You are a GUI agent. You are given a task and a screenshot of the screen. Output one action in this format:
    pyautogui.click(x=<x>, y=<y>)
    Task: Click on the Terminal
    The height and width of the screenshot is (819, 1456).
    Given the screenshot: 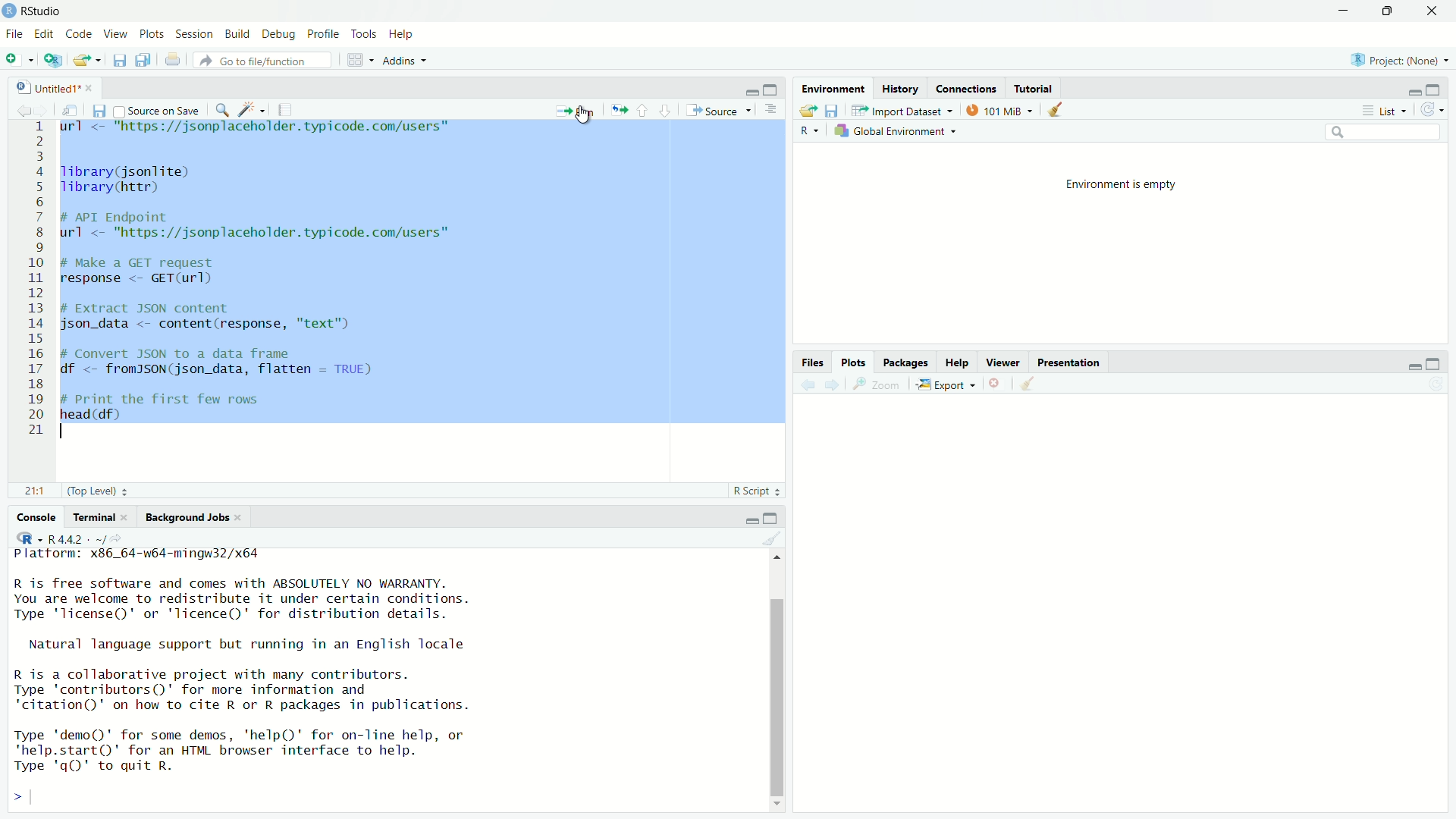 What is the action you would take?
    pyautogui.click(x=102, y=518)
    